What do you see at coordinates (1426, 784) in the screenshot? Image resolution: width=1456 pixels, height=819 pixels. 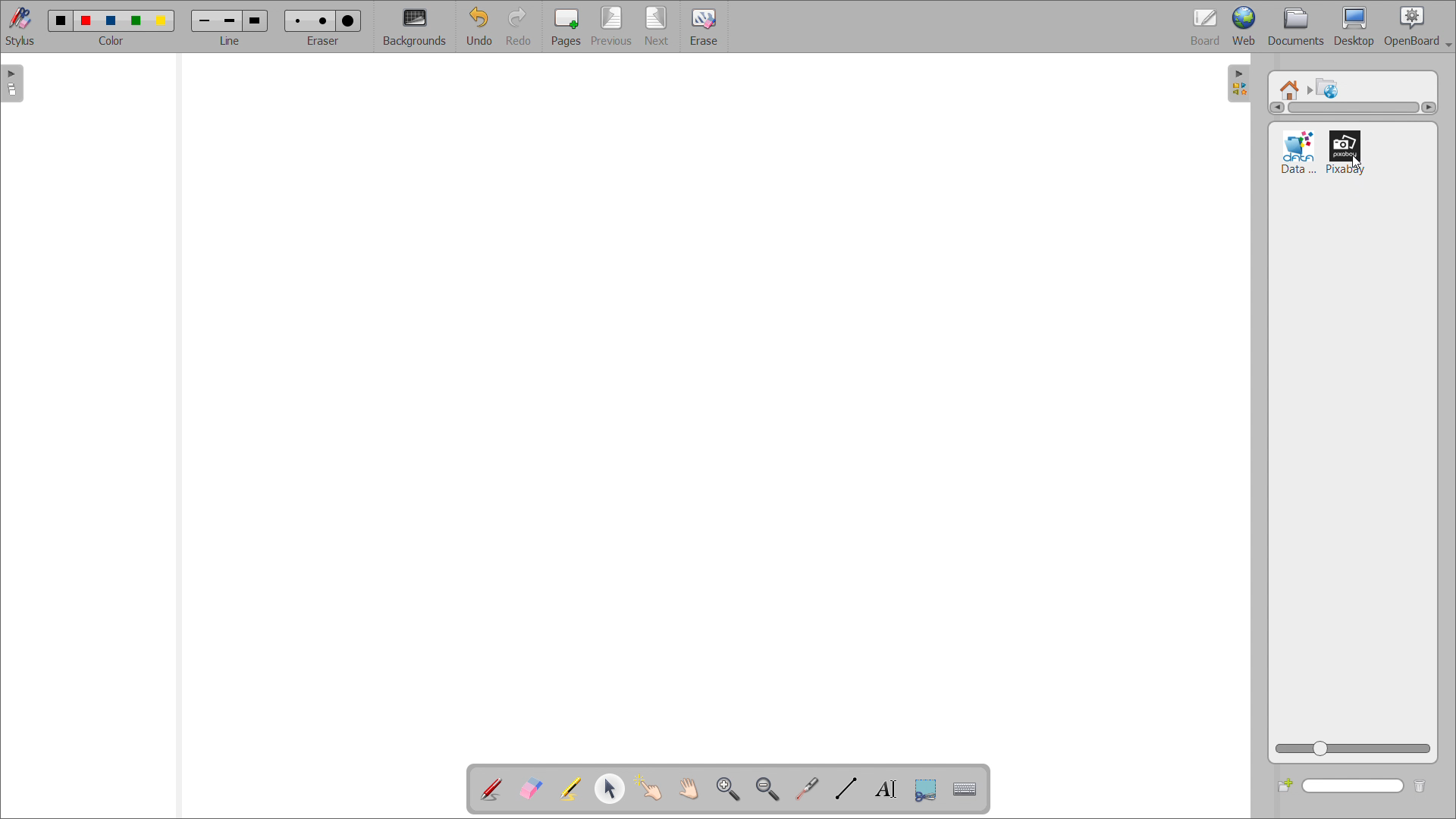 I see `delete` at bounding box center [1426, 784].